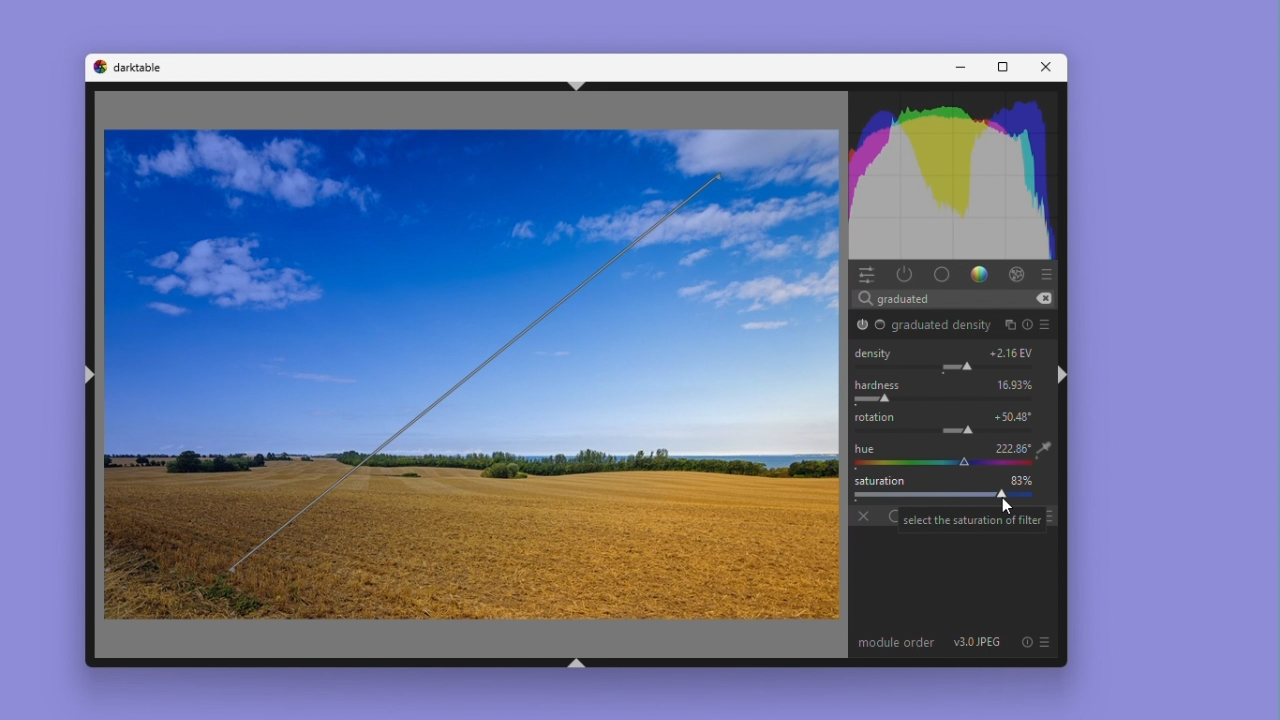 Image resolution: width=1280 pixels, height=720 pixels. What do you see at coordinates (93, 378) in the screenshot?
I see `shift+ctrl+l` at bounding box center [93, 378].